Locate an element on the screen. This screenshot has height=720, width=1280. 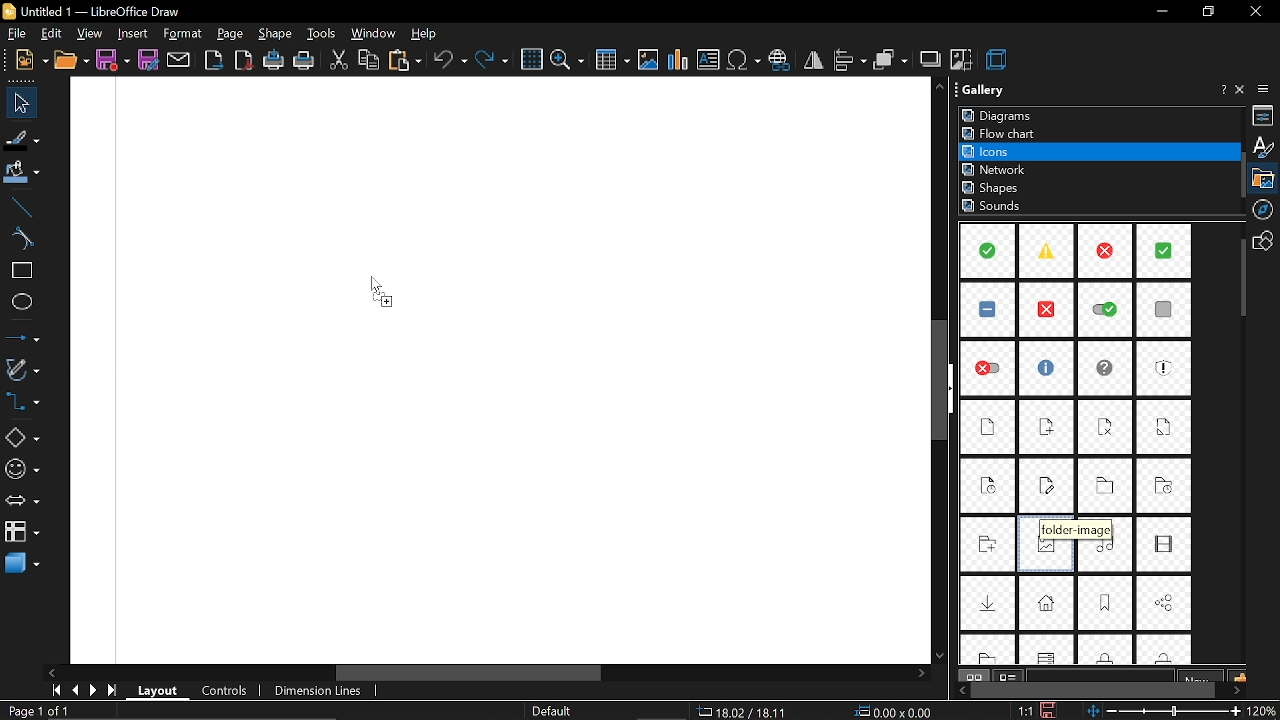
insert chart is located at coordinates (678, 60).